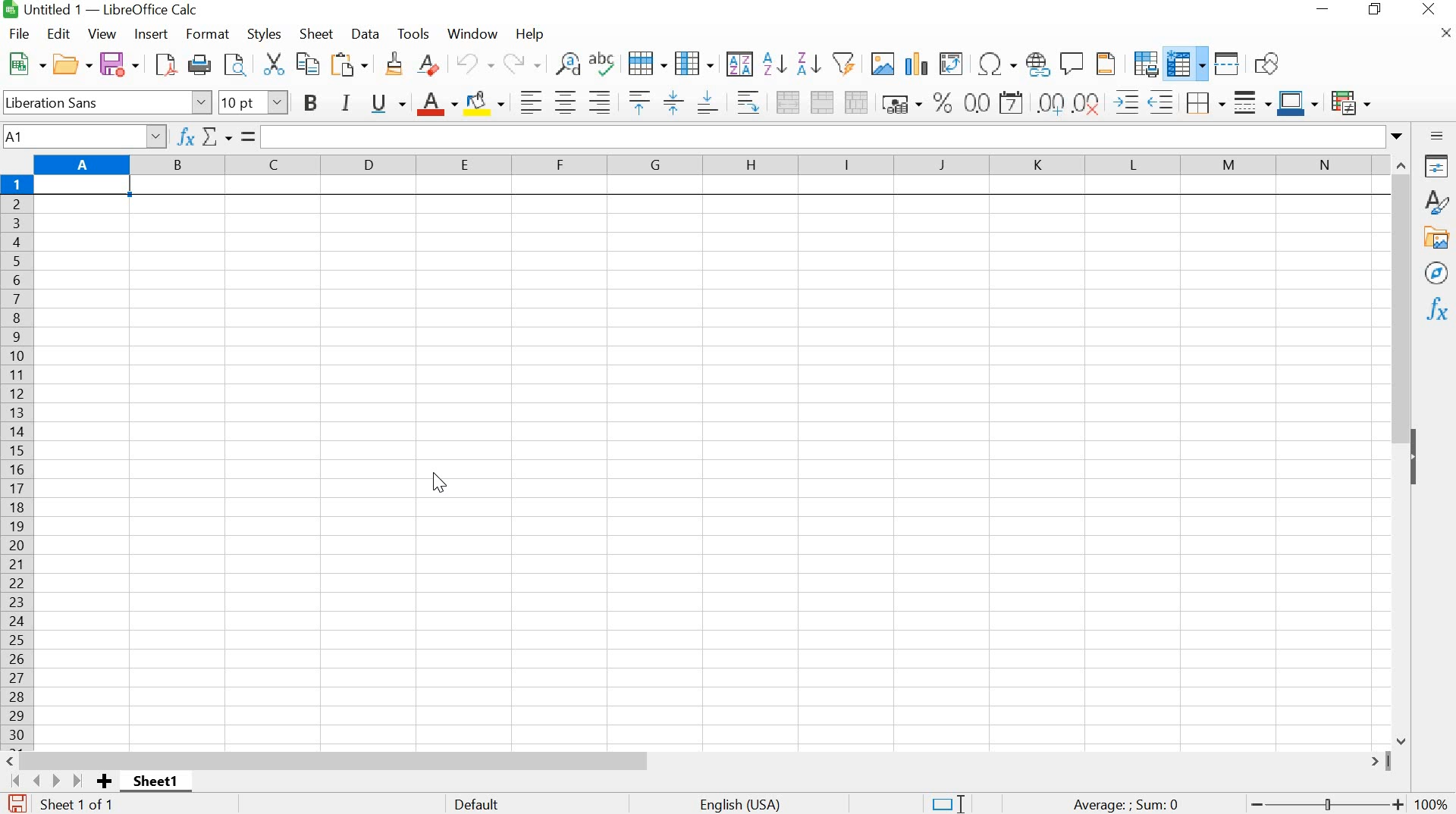  I want to click on PASTE, so click(352, 64).